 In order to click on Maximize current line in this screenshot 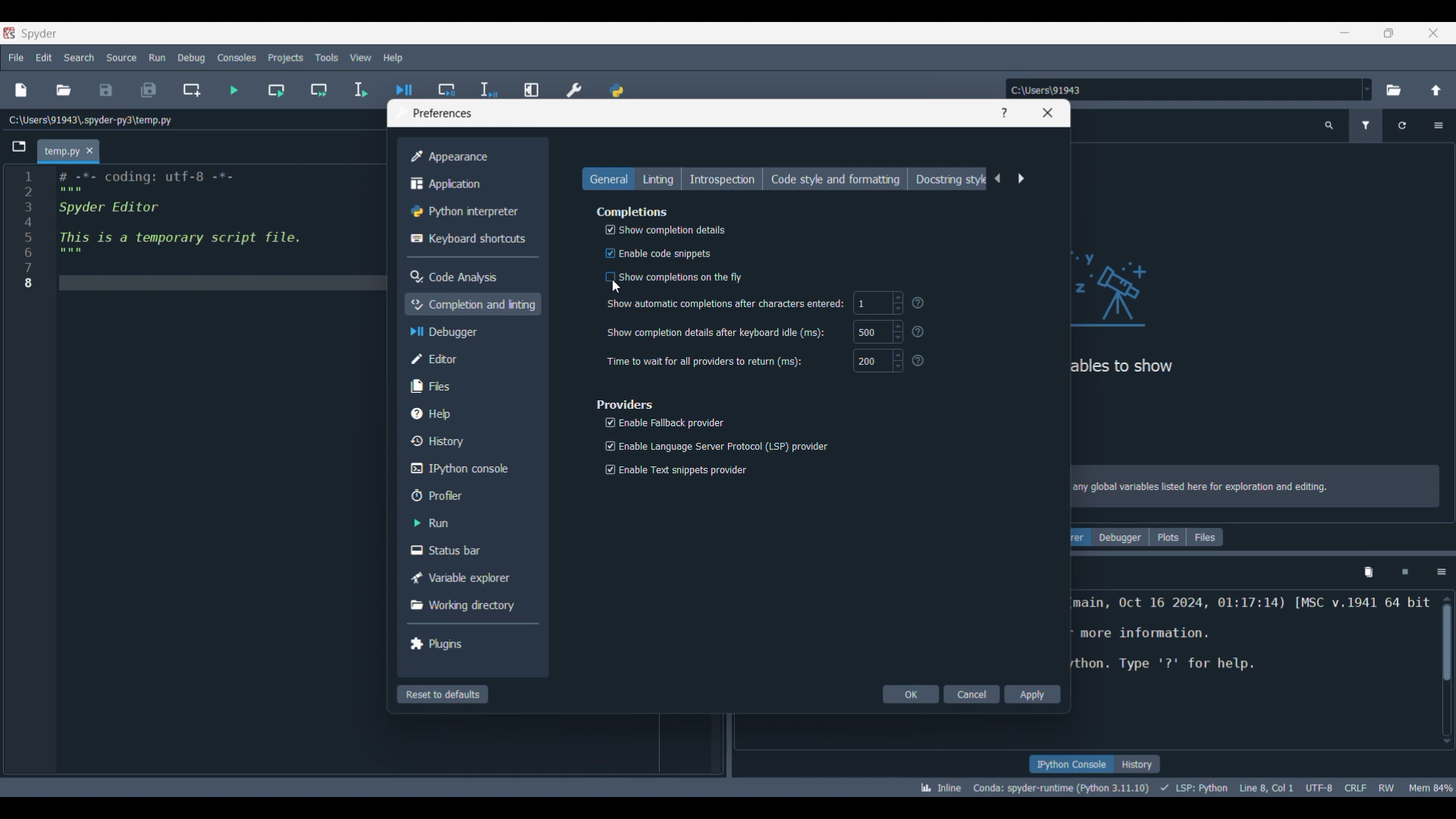, I will do `click(533, 84)`.